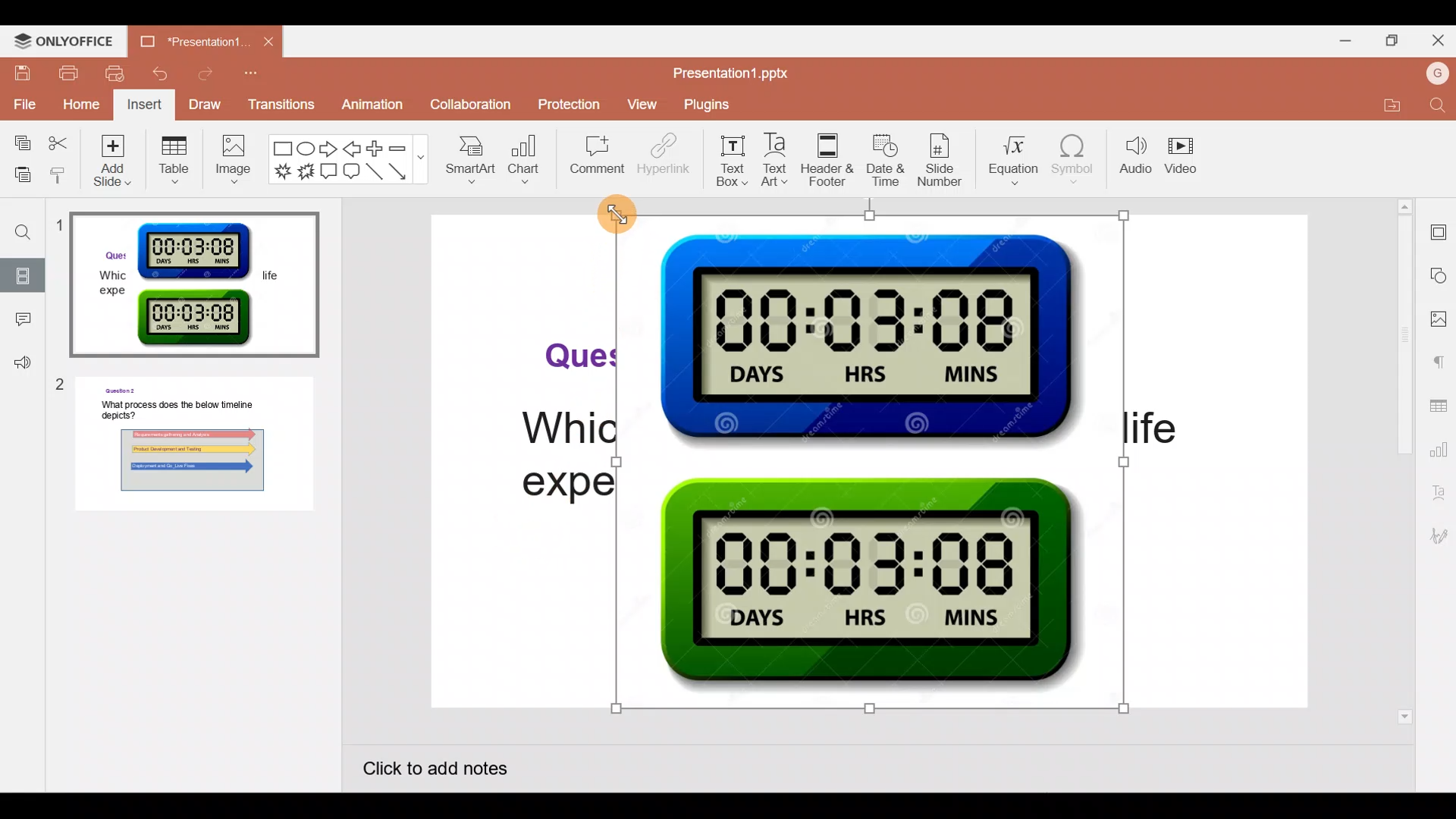  Describe the element at coordinates (700, 105) in the screenshot. I see `Plugins` at that location.